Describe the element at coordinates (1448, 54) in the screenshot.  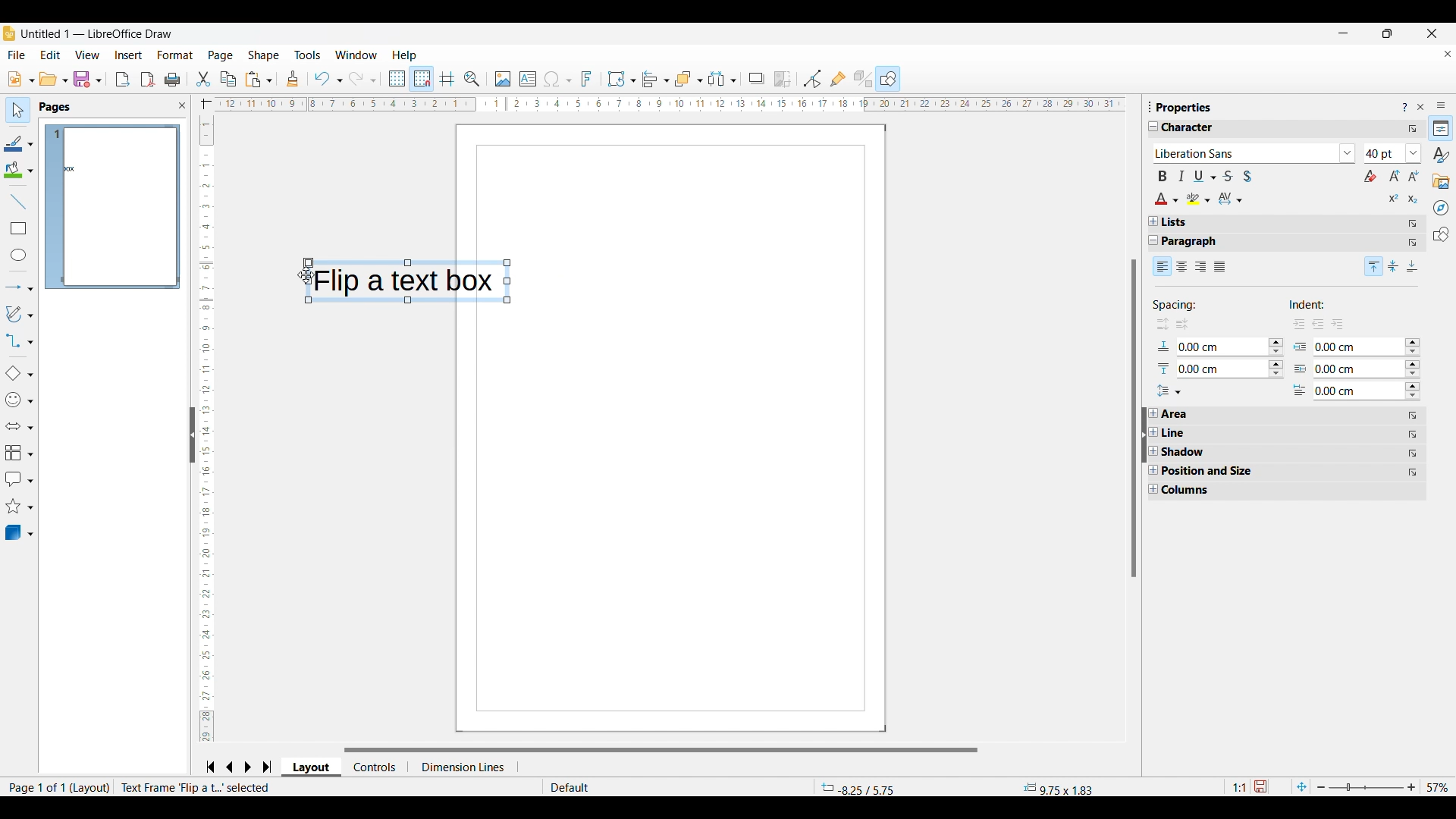
I see `Close current document` at that location.